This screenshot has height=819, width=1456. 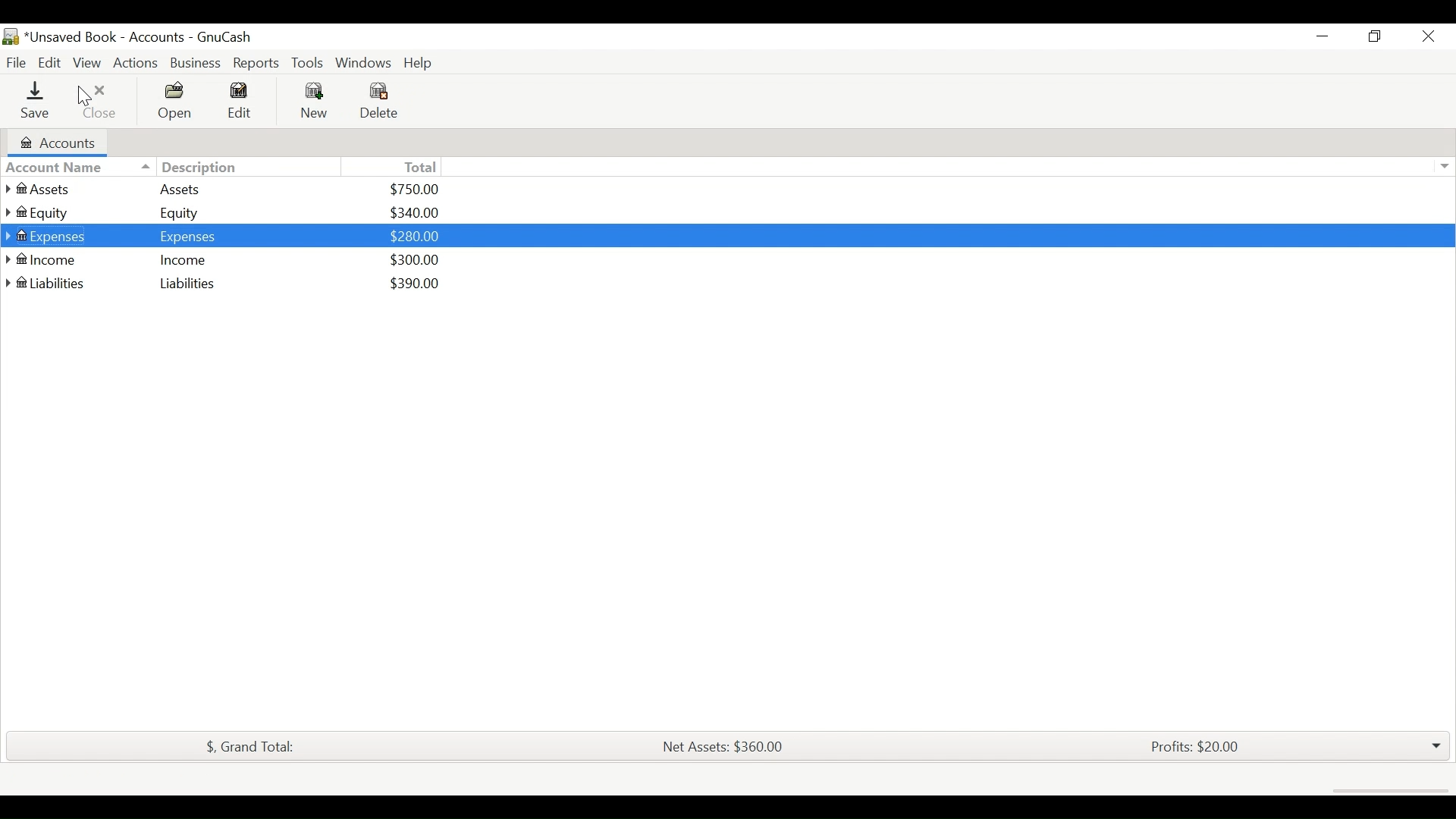 What do you see at coordinates (84, 96) in the screenshot?
I see `Cursor` at bounding box center [84, 96].